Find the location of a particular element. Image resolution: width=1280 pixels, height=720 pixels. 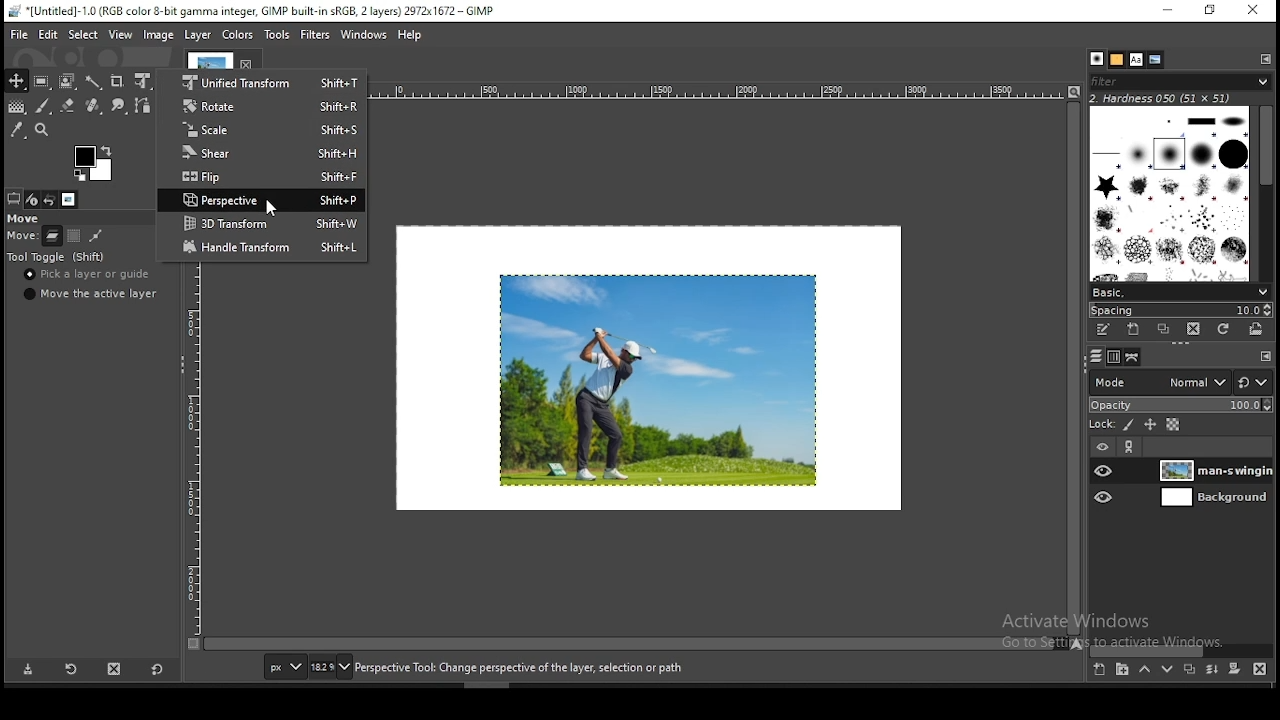

brush tool is located at coordinates (44, 105).